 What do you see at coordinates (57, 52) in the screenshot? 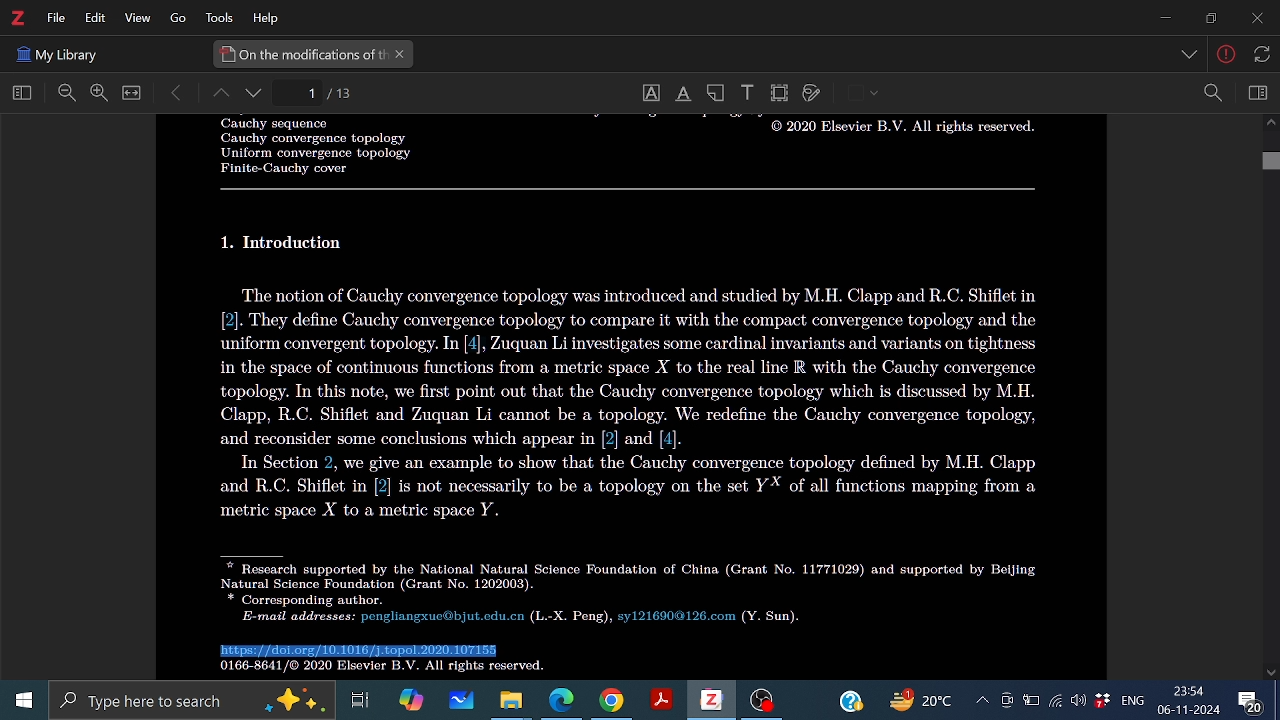
I see `` at bounding box center [57, 52].